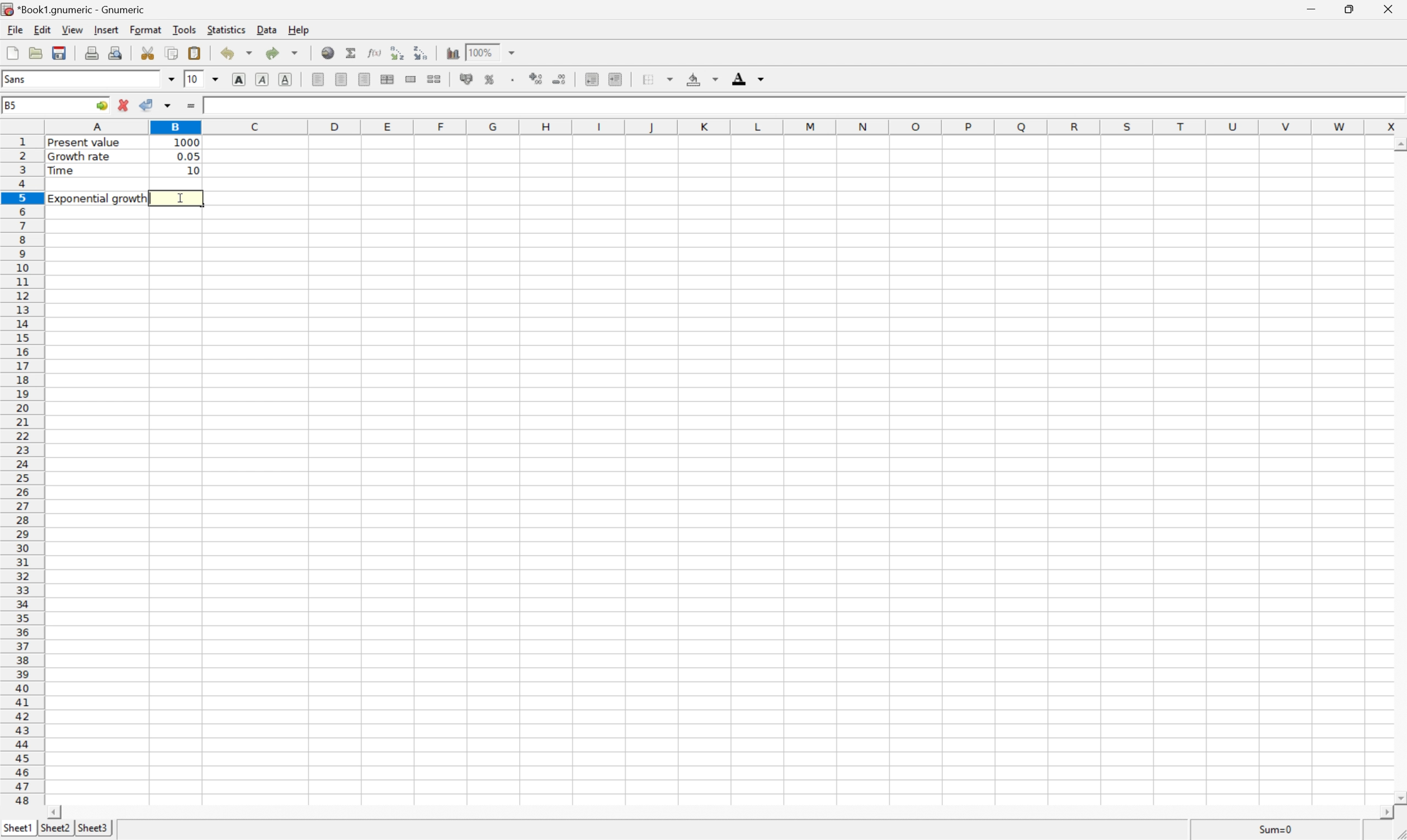  Describe the element at coordinates (144, 29) in the screenshot. I see `Format` at that location.